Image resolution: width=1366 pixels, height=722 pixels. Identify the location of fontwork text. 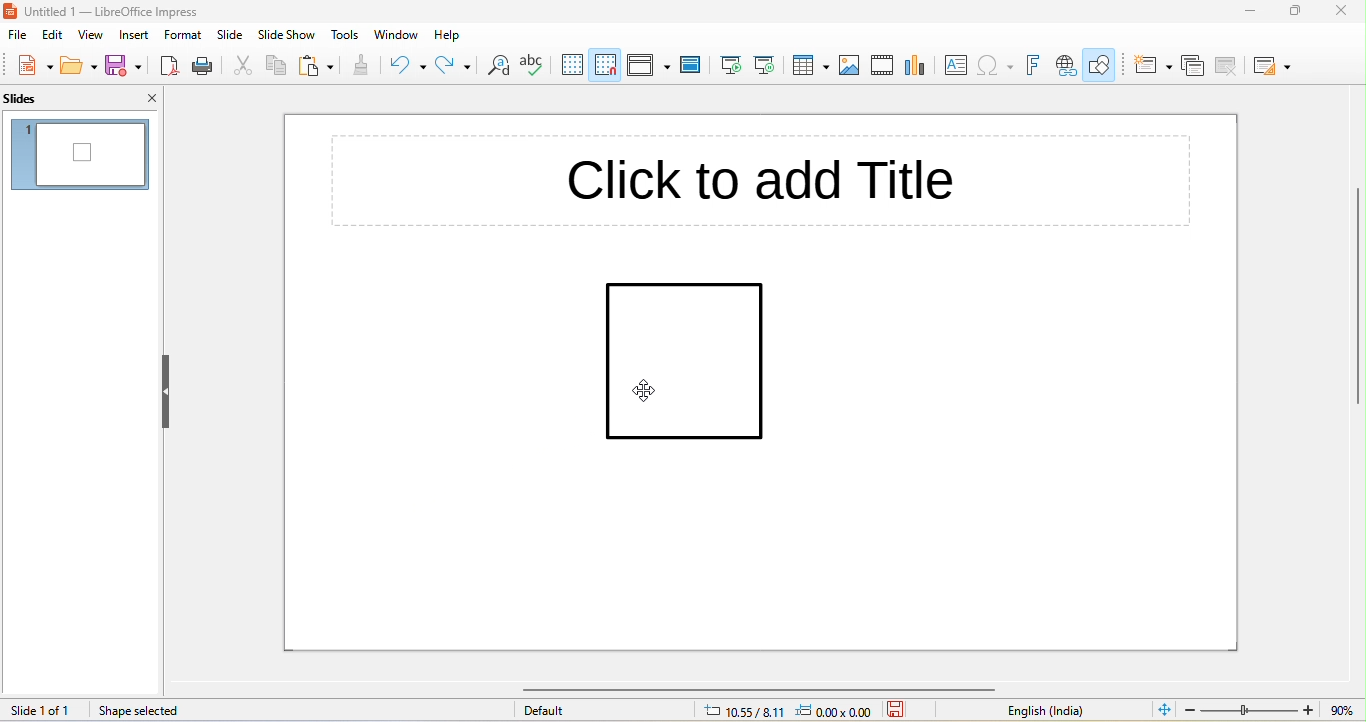
(1031, 65).